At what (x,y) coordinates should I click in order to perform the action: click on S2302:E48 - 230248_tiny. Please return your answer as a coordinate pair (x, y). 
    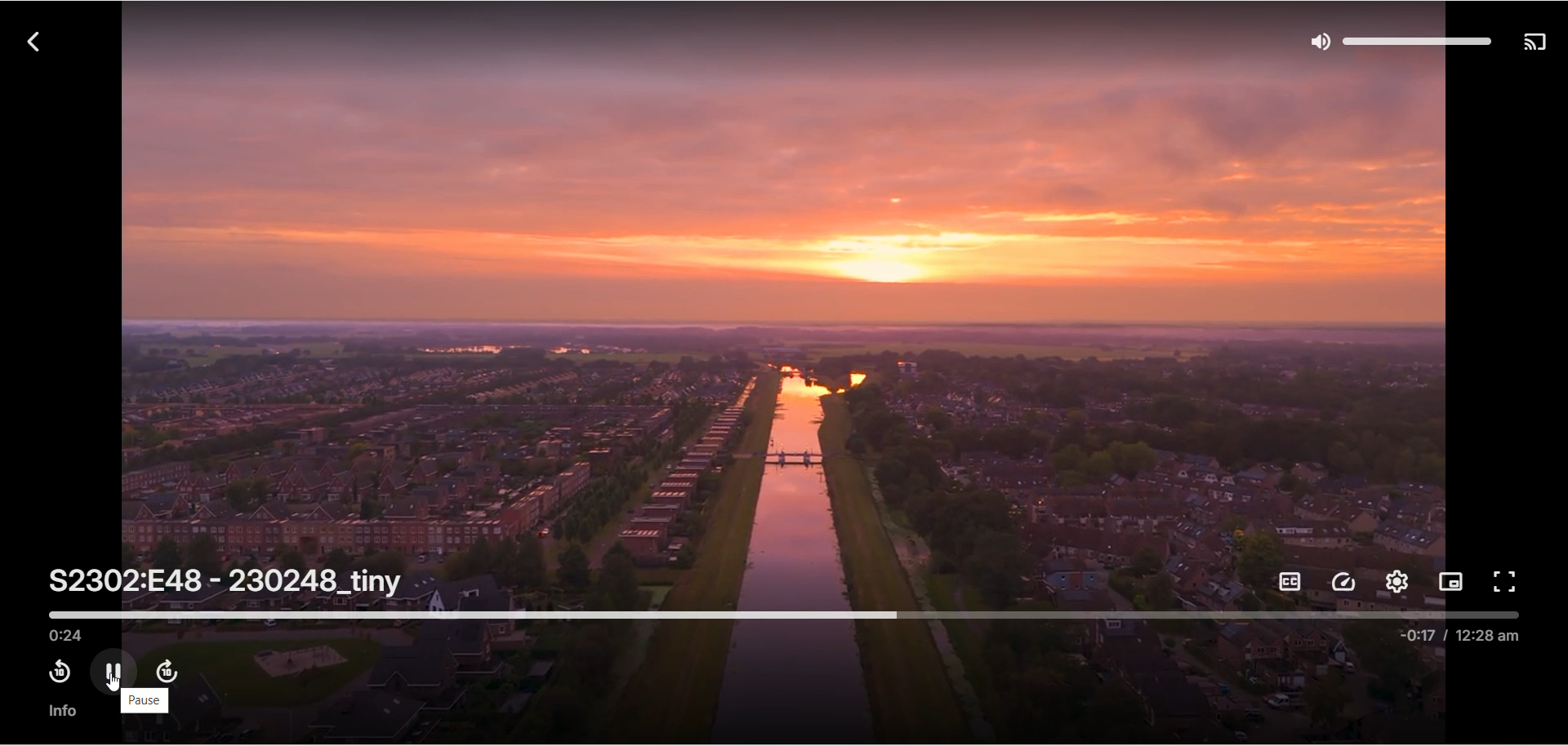
    Looking at the image, I should click on (228, 581).